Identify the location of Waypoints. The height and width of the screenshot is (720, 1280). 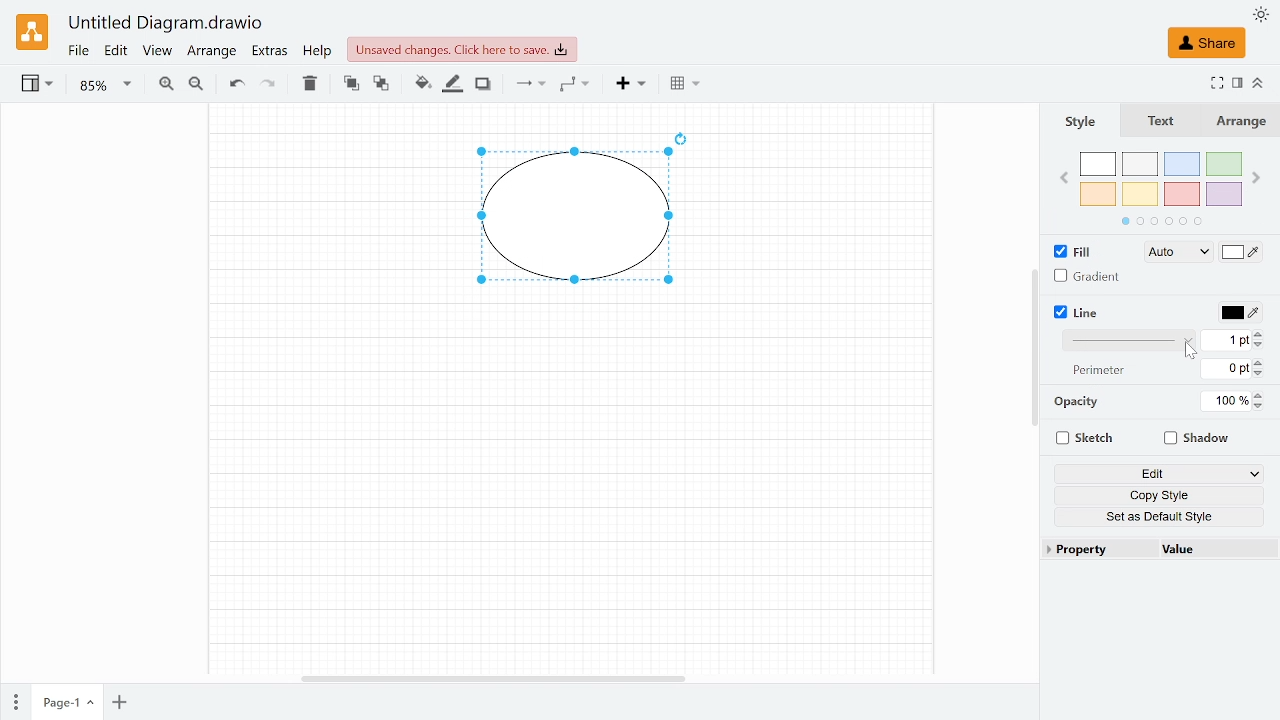
(576, 85).